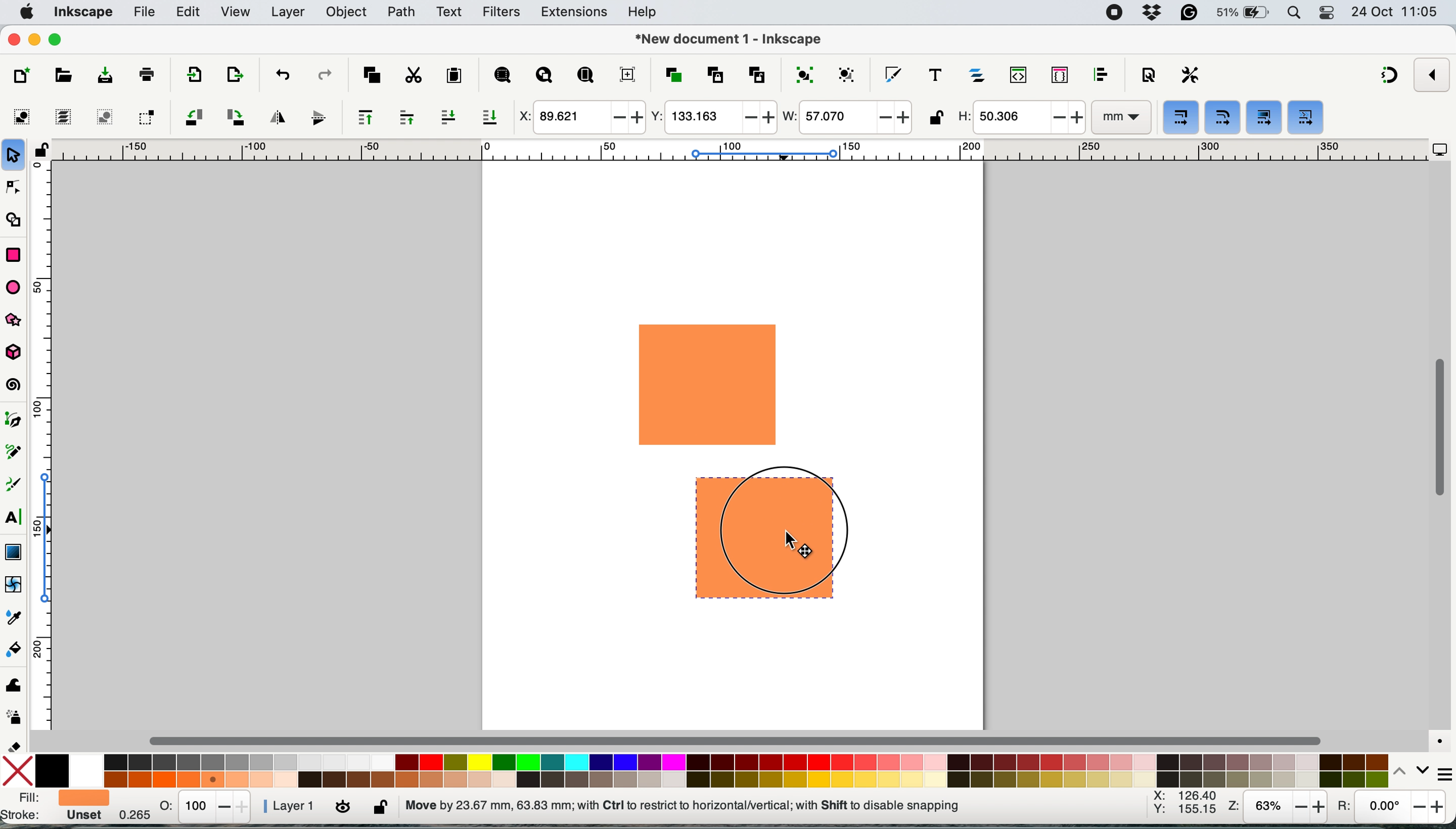 Image resolution: width=1456 pixels, height=829 pixels. What do you see at coordinates (314, 117) in the screenshot?
I see `flip vertically` at bounding box center [314, 117].